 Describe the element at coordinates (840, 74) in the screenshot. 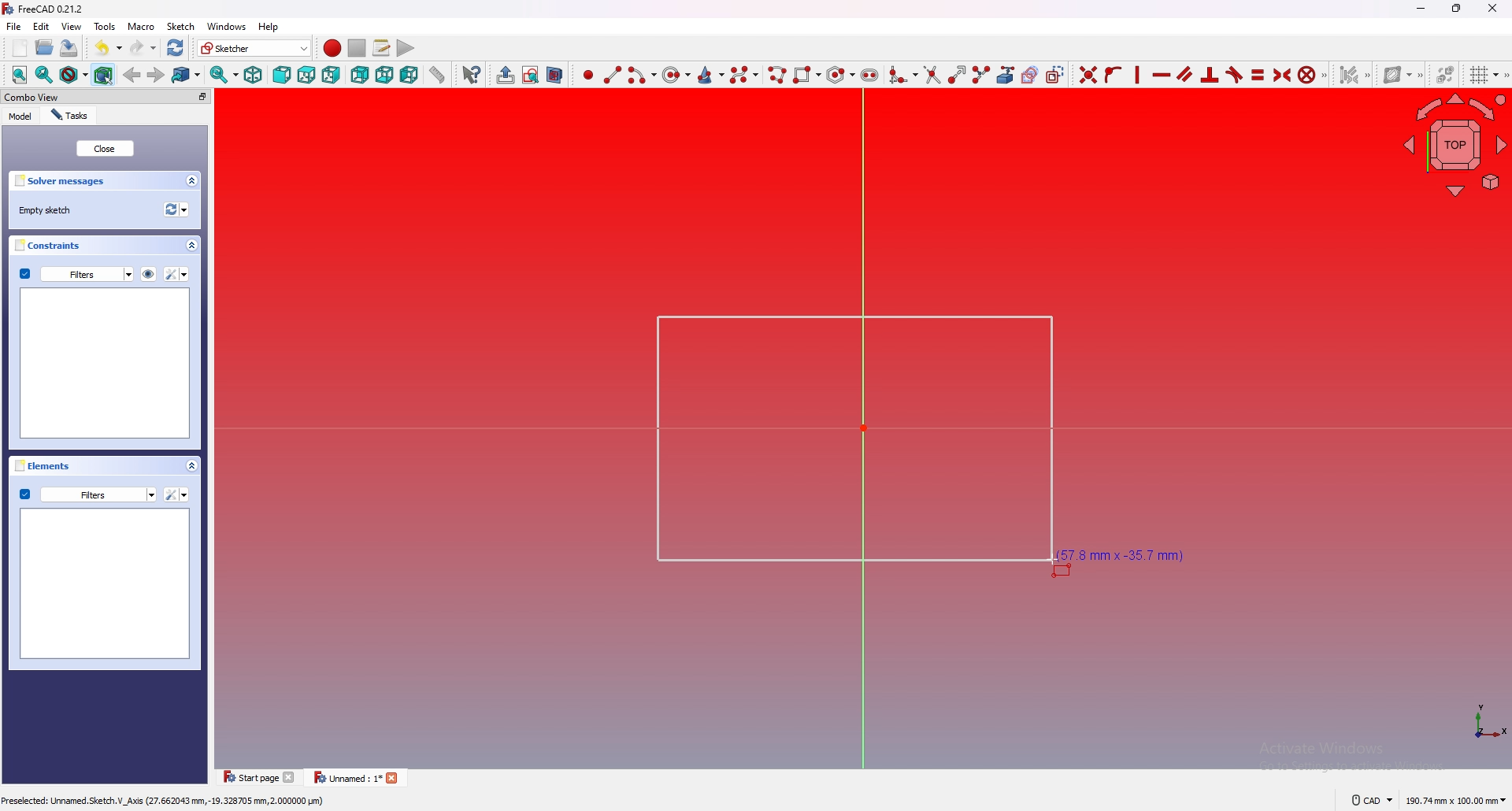

I see `create regular polygon` at that location.